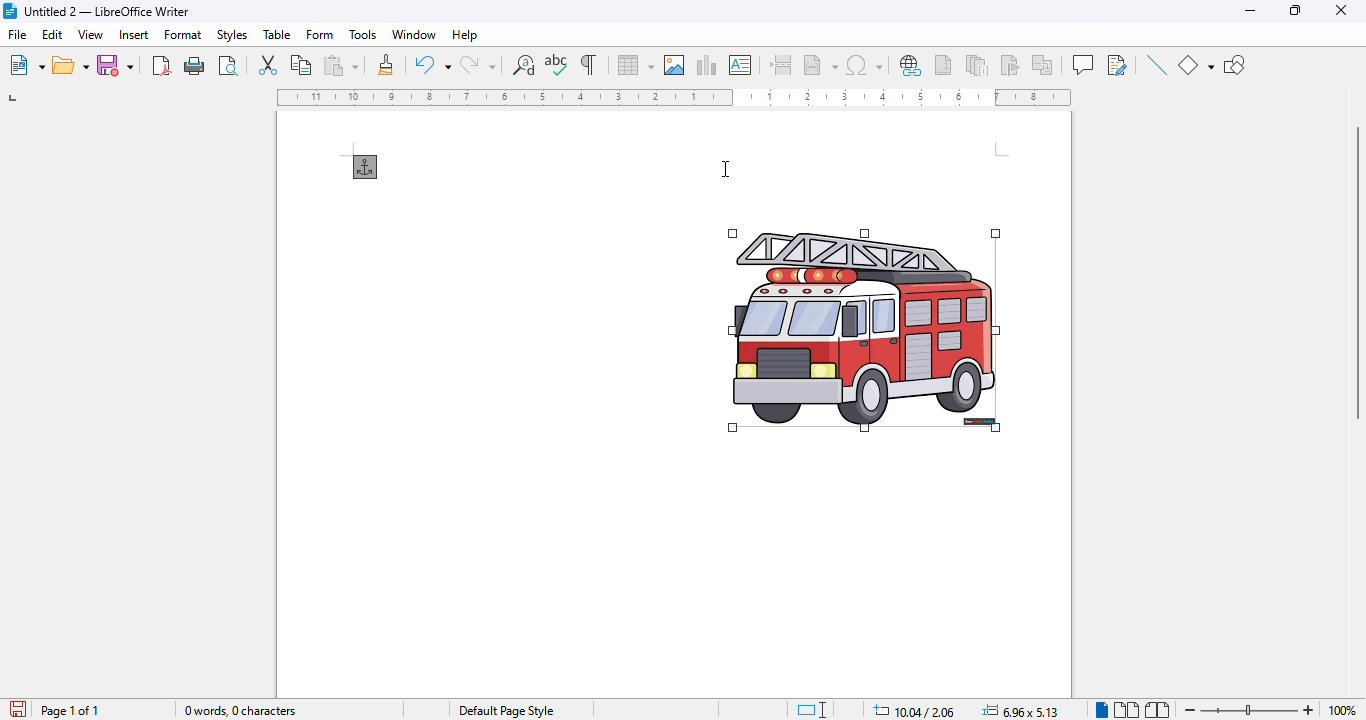 Image resolution: width=1366 pixels, height=720 pixels. I want to click on export directly as PDF, so click(162, 65).